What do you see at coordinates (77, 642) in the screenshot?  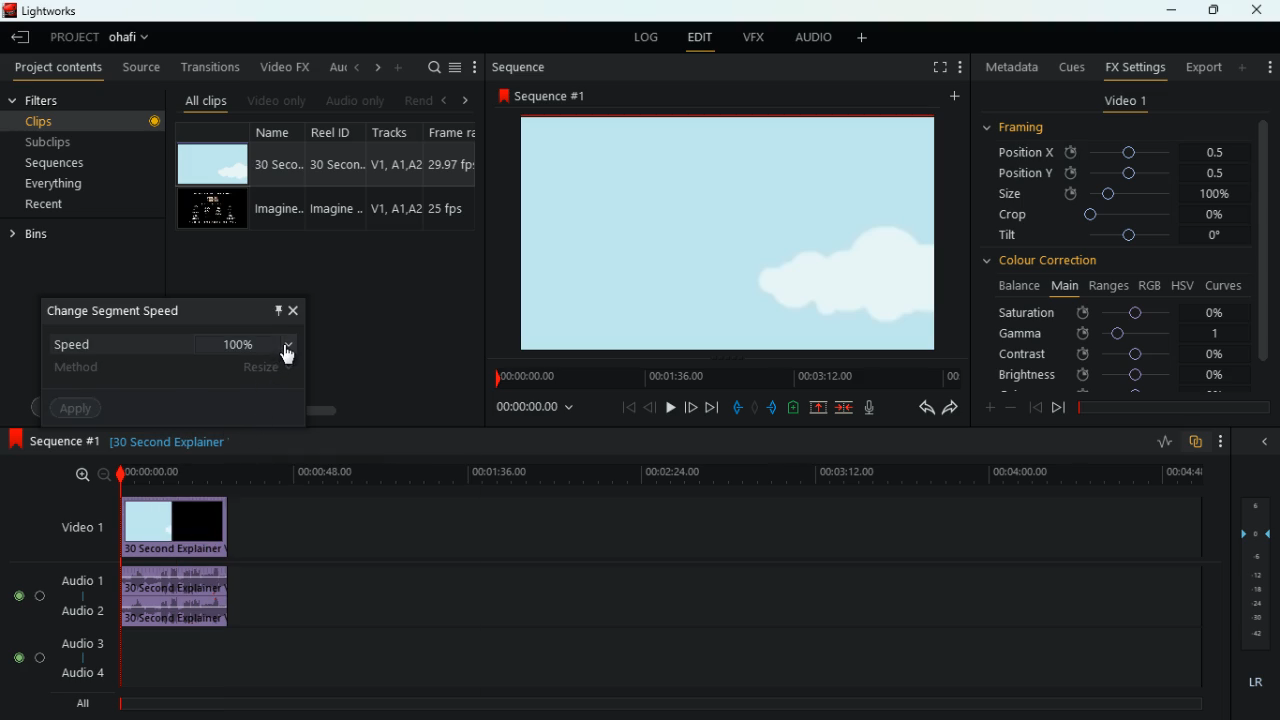 I see `audio 3` at bounding box center [77, 642].